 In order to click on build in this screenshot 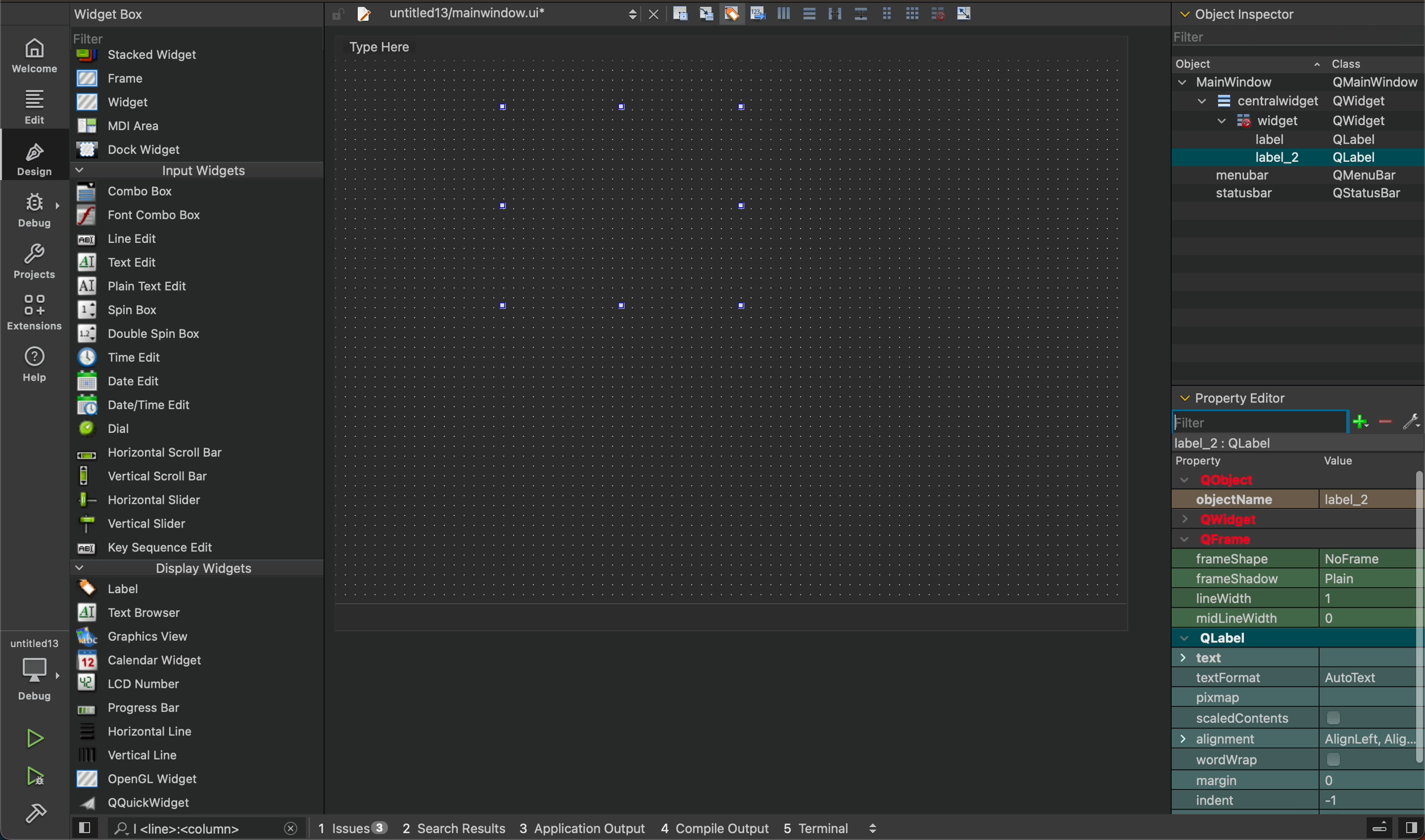, I will do `click(43, 818)`.